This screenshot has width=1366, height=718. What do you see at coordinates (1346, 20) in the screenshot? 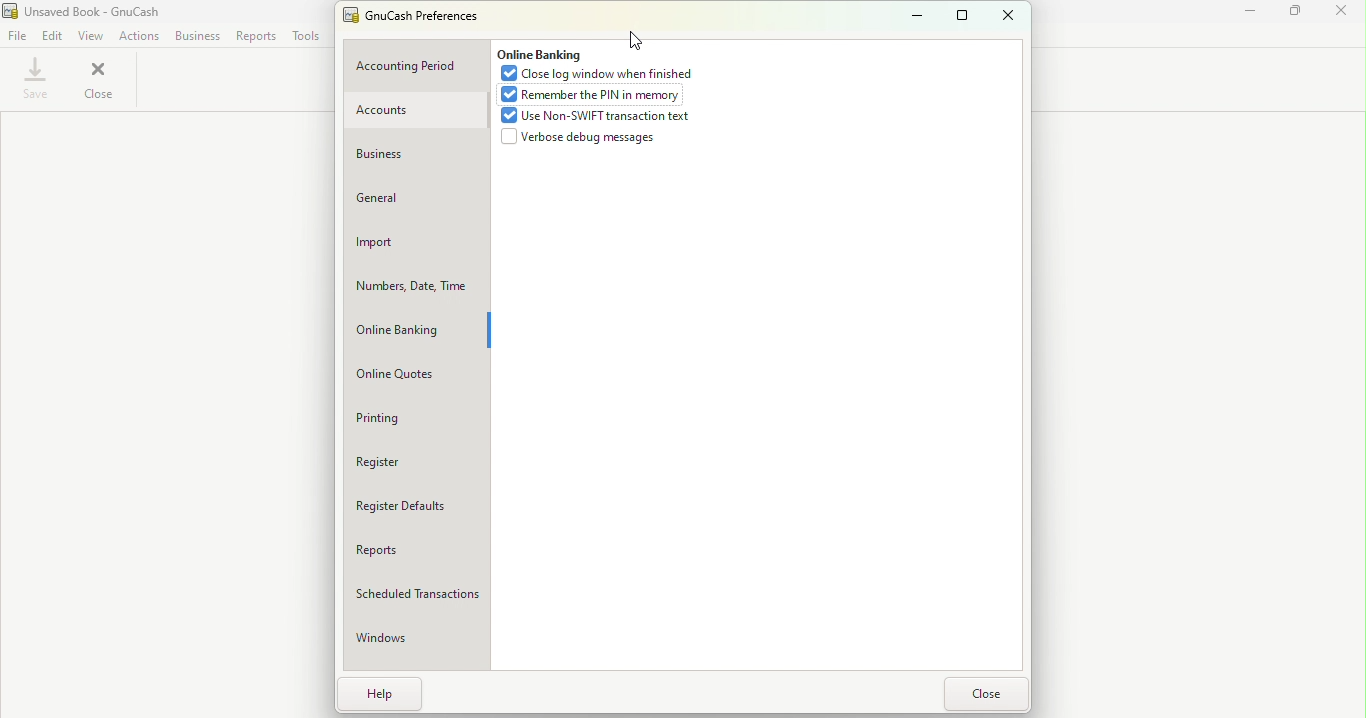
I see `Close` at bounding box center [1346, 20].